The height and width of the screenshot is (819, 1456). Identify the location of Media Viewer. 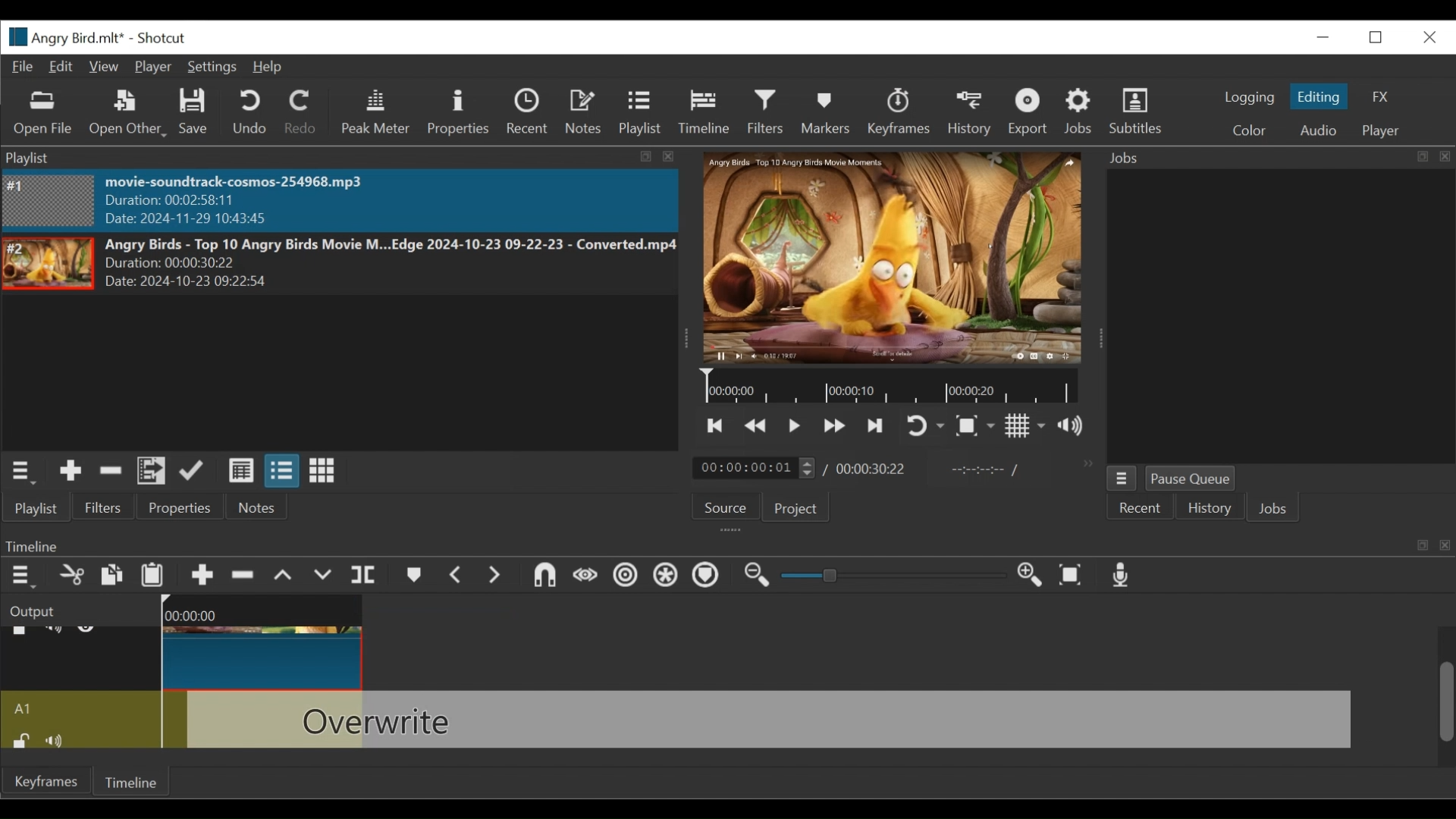
(886, 256).